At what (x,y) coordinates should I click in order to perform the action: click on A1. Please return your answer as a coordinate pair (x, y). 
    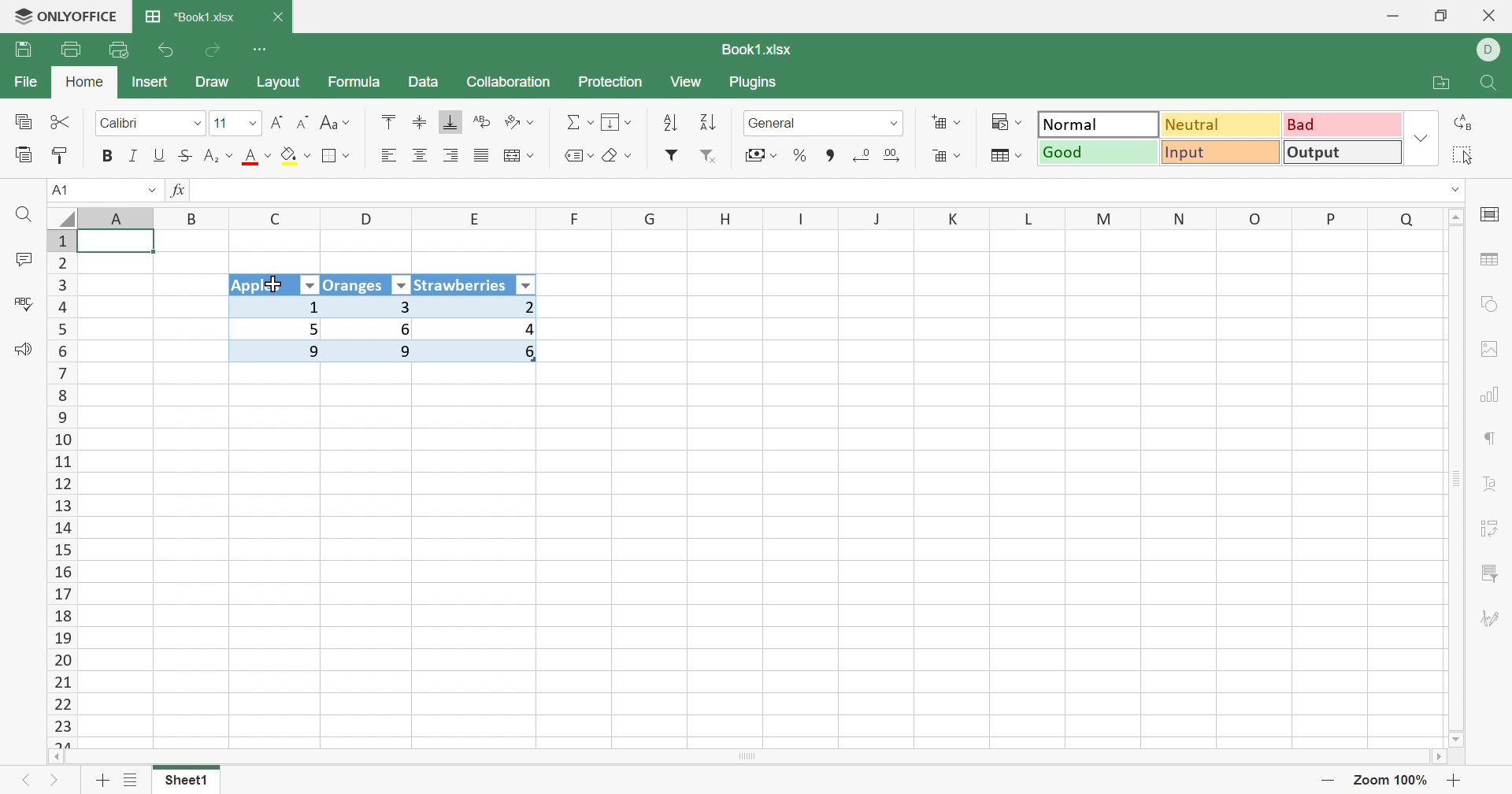
    Looking at the image, I should click on (59, 190).